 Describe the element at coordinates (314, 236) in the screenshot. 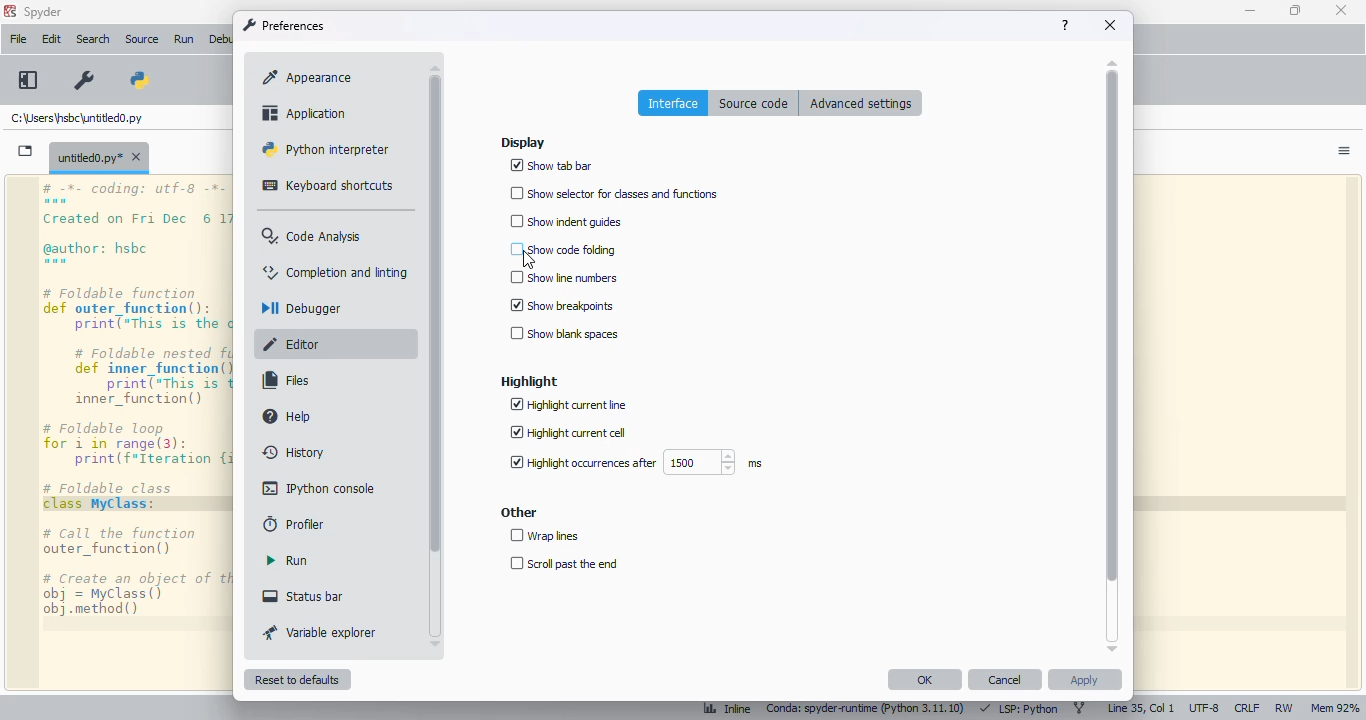

I see `code analysis` at that location.